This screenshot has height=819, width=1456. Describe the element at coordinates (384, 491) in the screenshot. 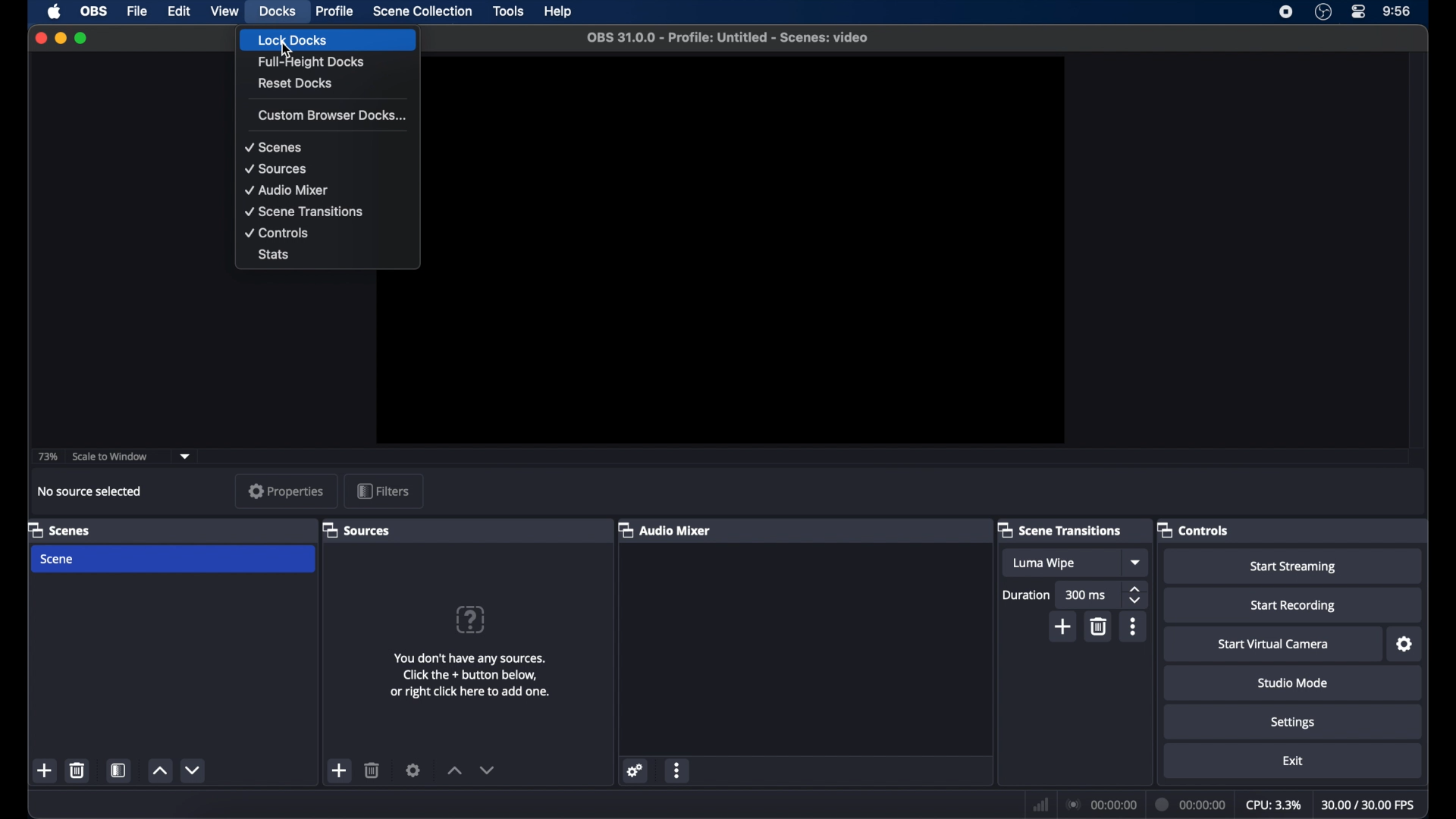

I see `filters` at that location.